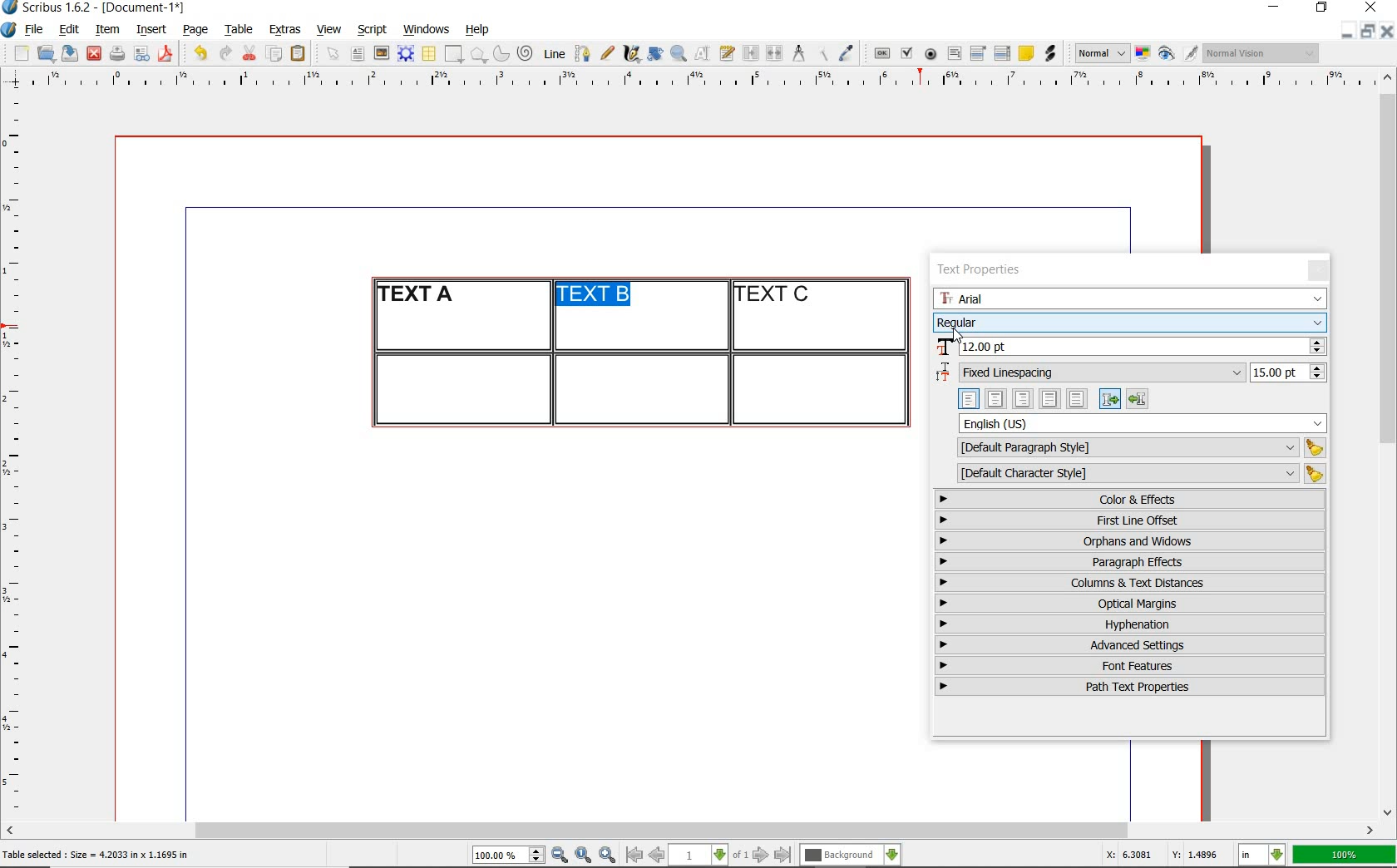  I want to click on print, so click(116, 53).